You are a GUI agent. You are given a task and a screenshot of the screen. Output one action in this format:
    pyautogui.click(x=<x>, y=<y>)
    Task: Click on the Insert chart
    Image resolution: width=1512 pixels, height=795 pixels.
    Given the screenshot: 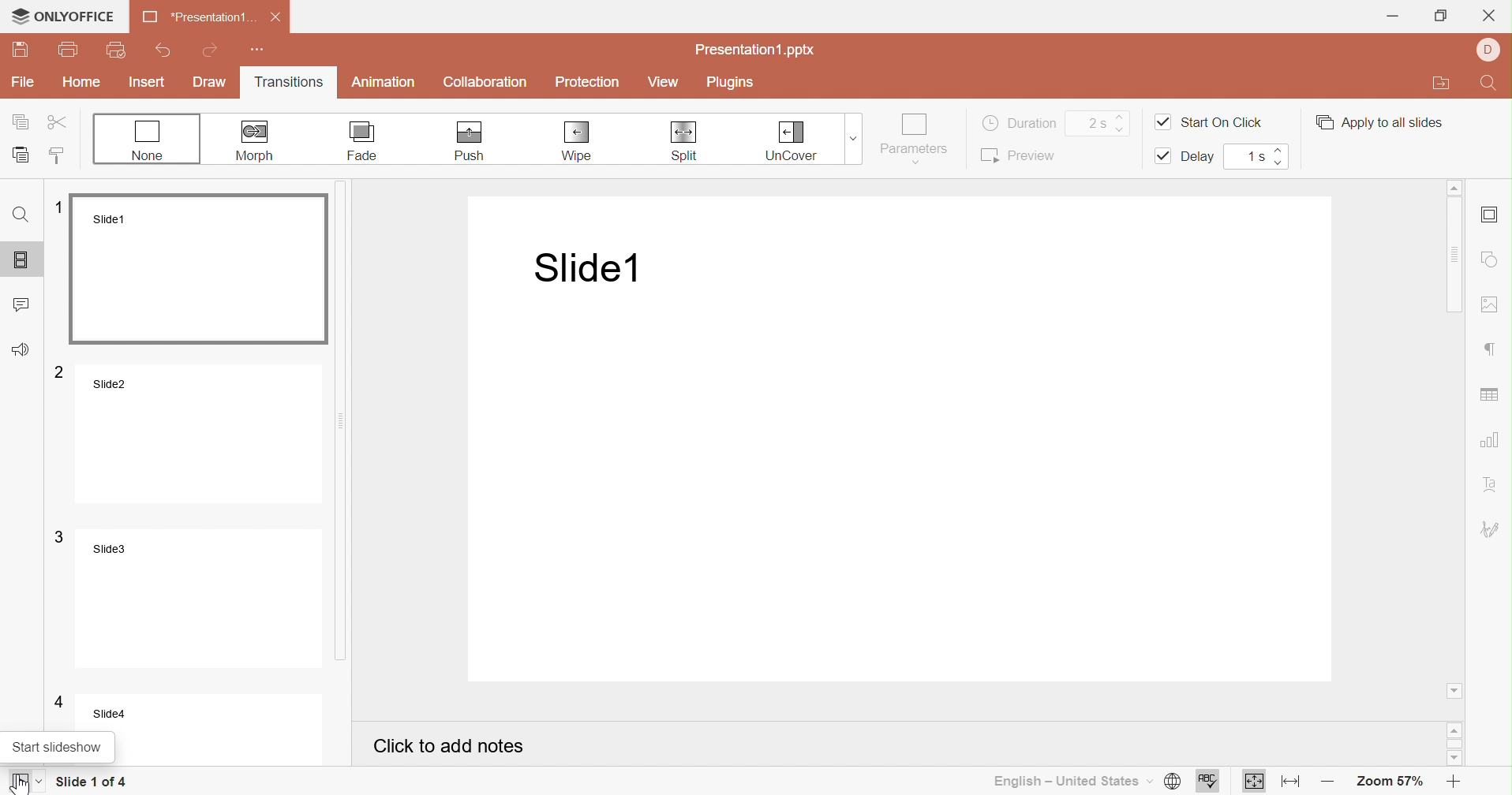 What is the action you would take?
    pyautogui.click(x=1492, y=391)
    